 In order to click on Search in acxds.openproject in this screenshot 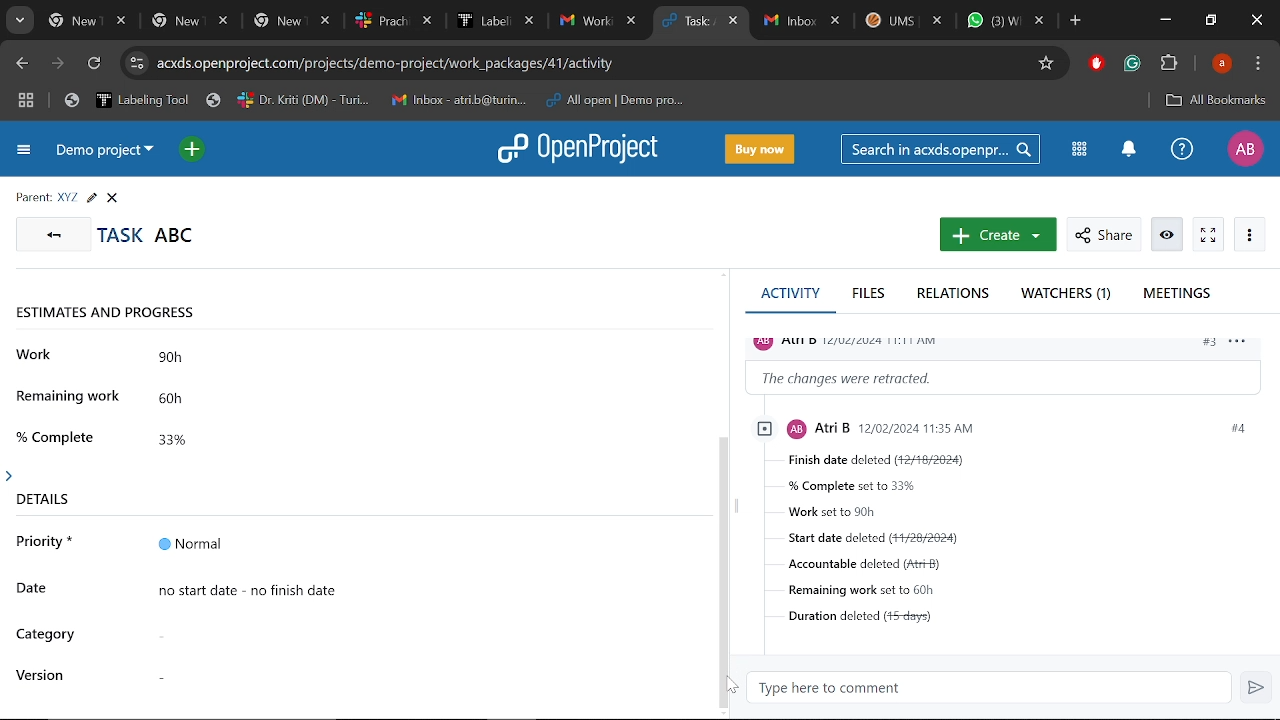, I will do `click(940, 149)`.